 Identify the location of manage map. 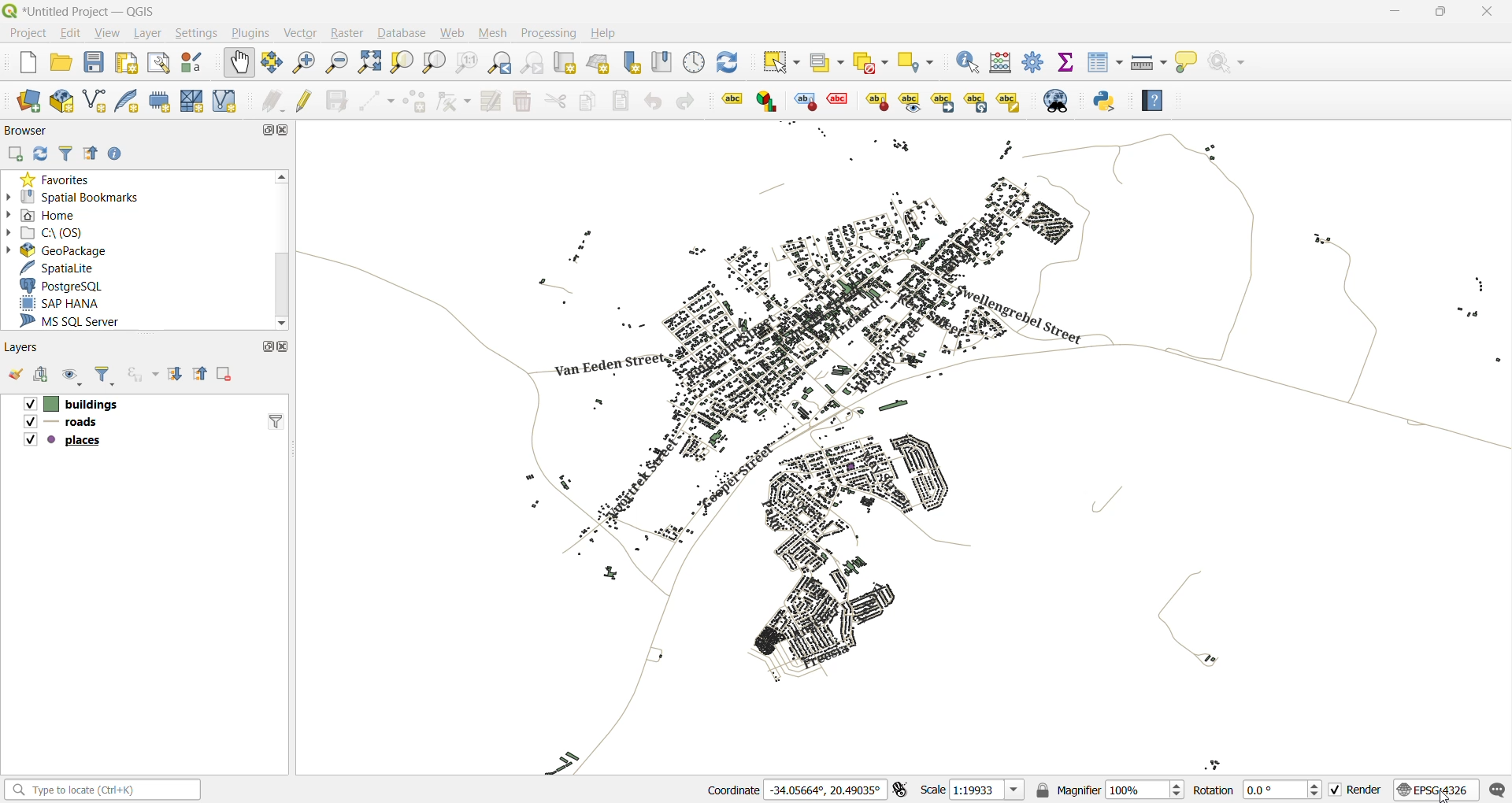
(72, 376).